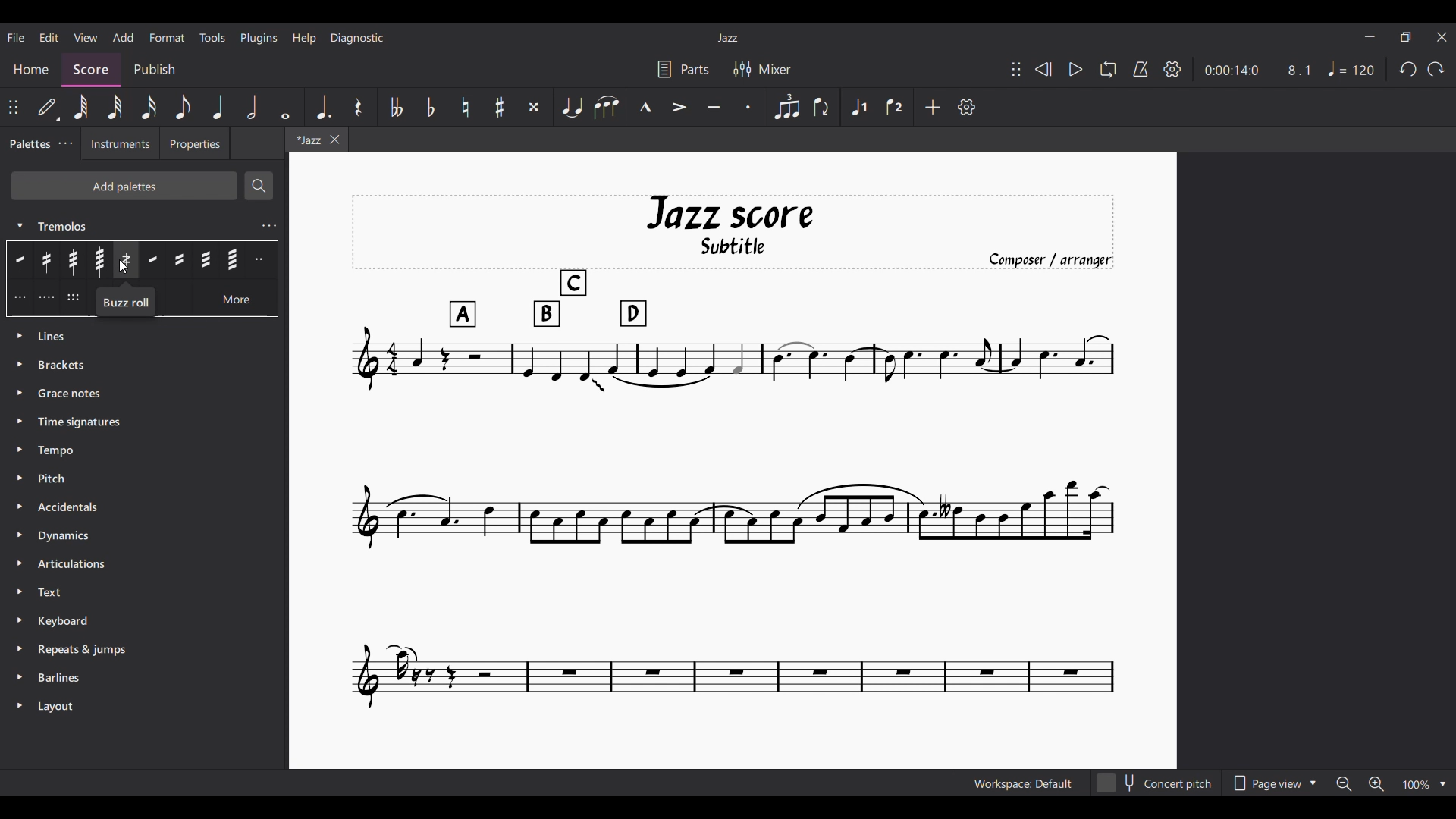  What do you see at coordinates (206, 259) in the screenshot?
I see `32nd between notes` at bounding box center [206, 259].